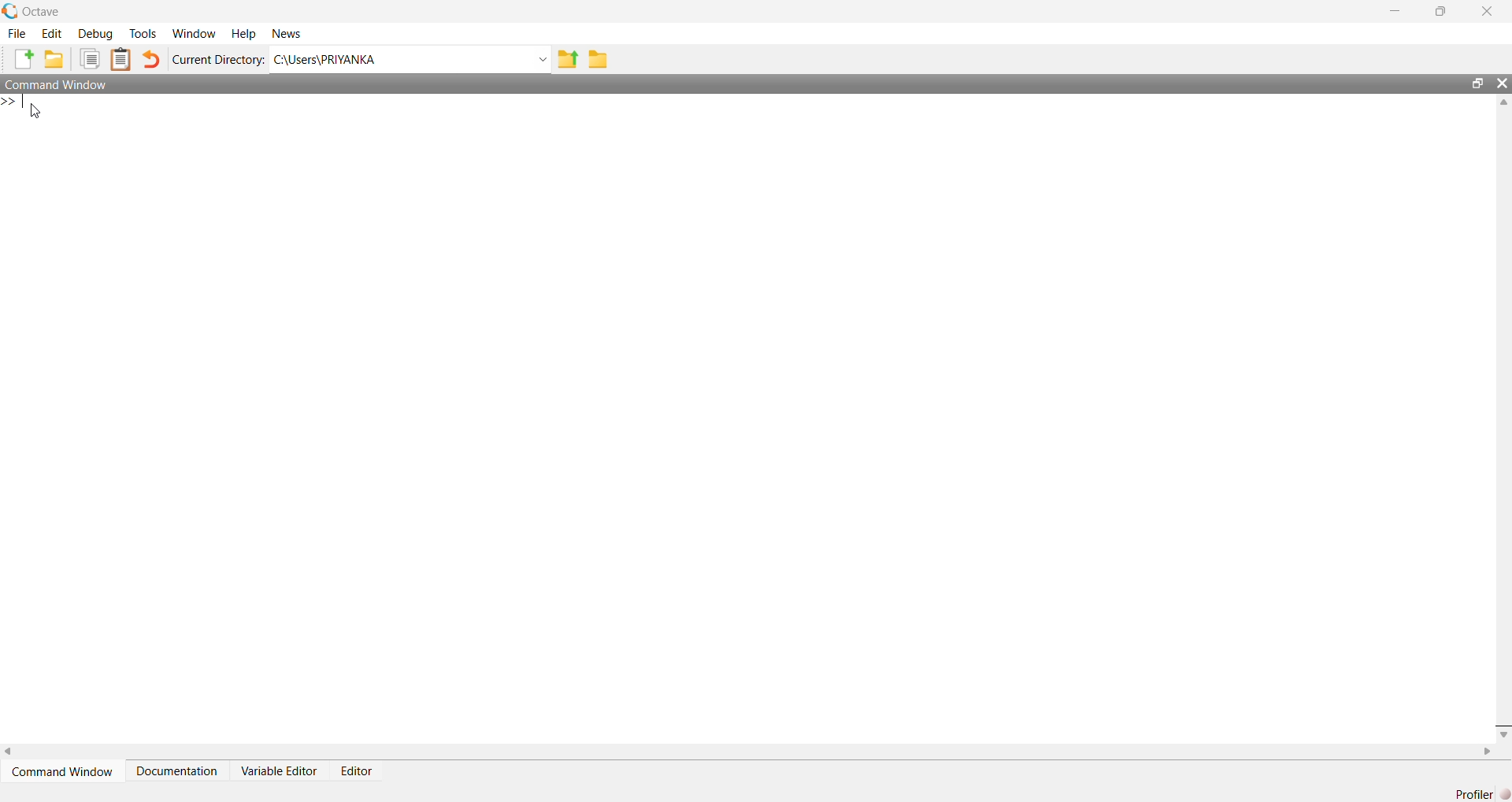  Describe the element at coordinates (358, 773) in the screenshot. I see `Editor` at that location.